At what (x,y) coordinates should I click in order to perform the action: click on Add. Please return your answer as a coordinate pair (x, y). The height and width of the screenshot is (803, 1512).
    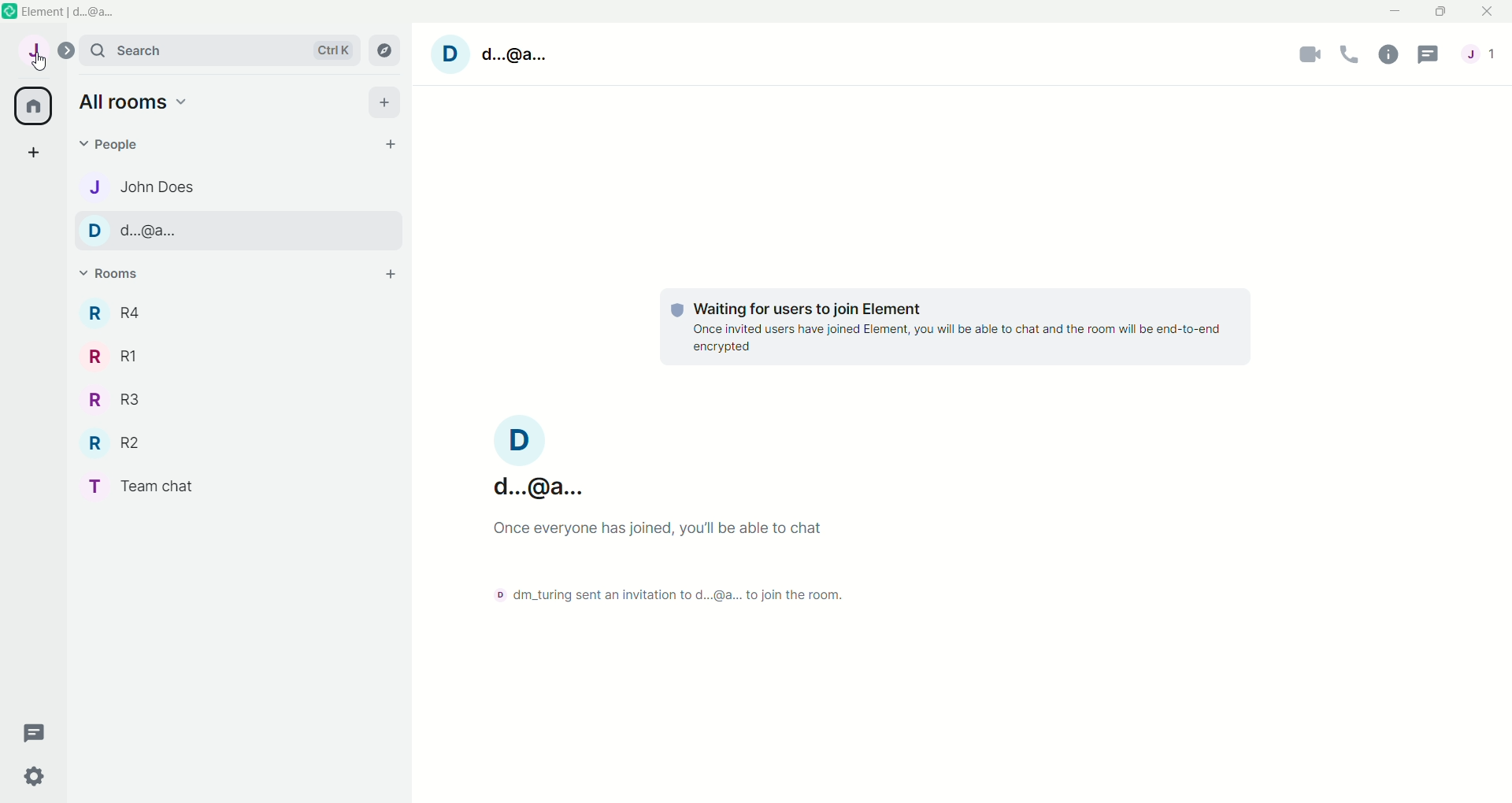
    Looking at the image, I should click on (390, 101).